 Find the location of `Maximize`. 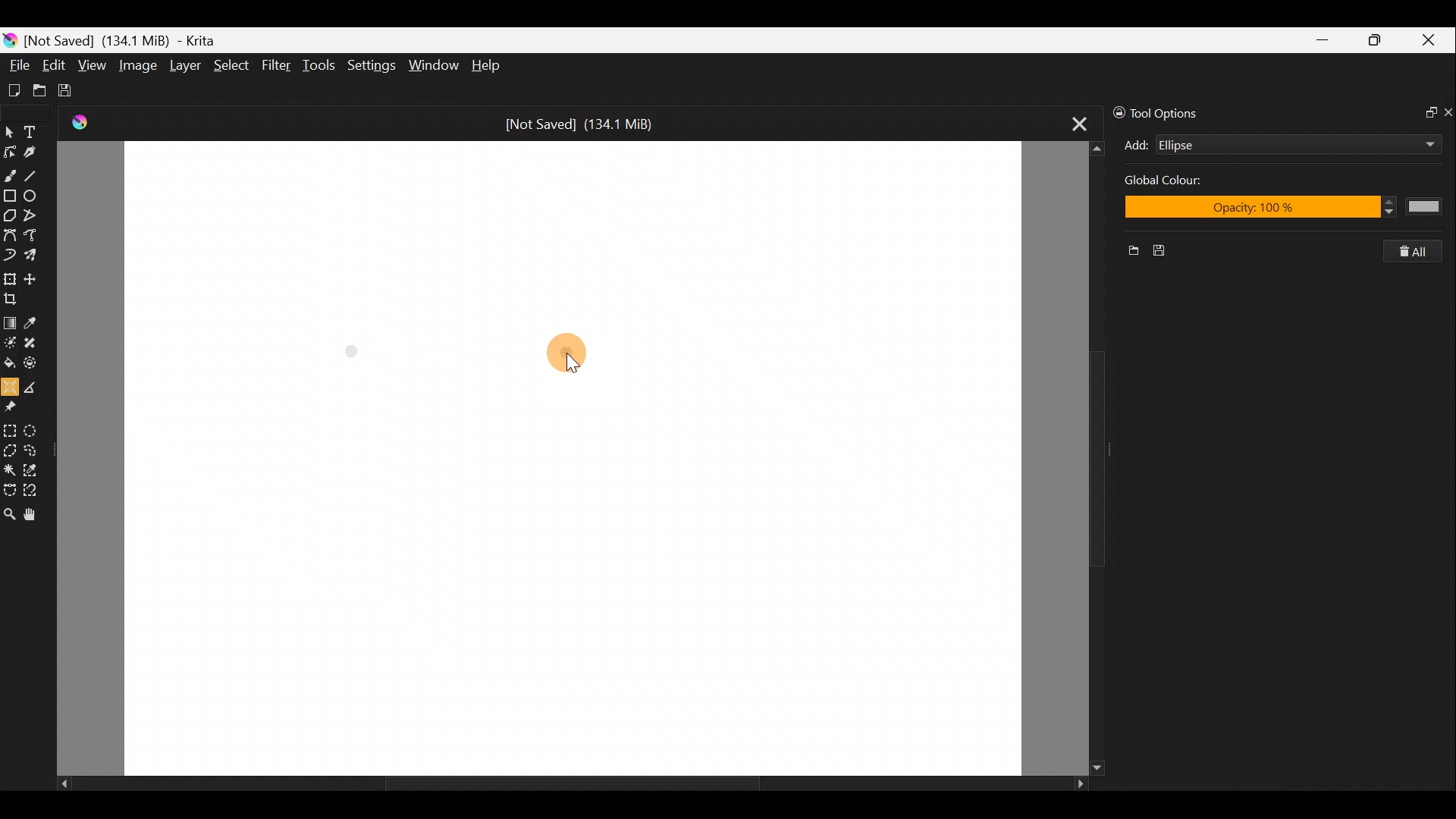

Maximize is located at coordinates (1379, 39).